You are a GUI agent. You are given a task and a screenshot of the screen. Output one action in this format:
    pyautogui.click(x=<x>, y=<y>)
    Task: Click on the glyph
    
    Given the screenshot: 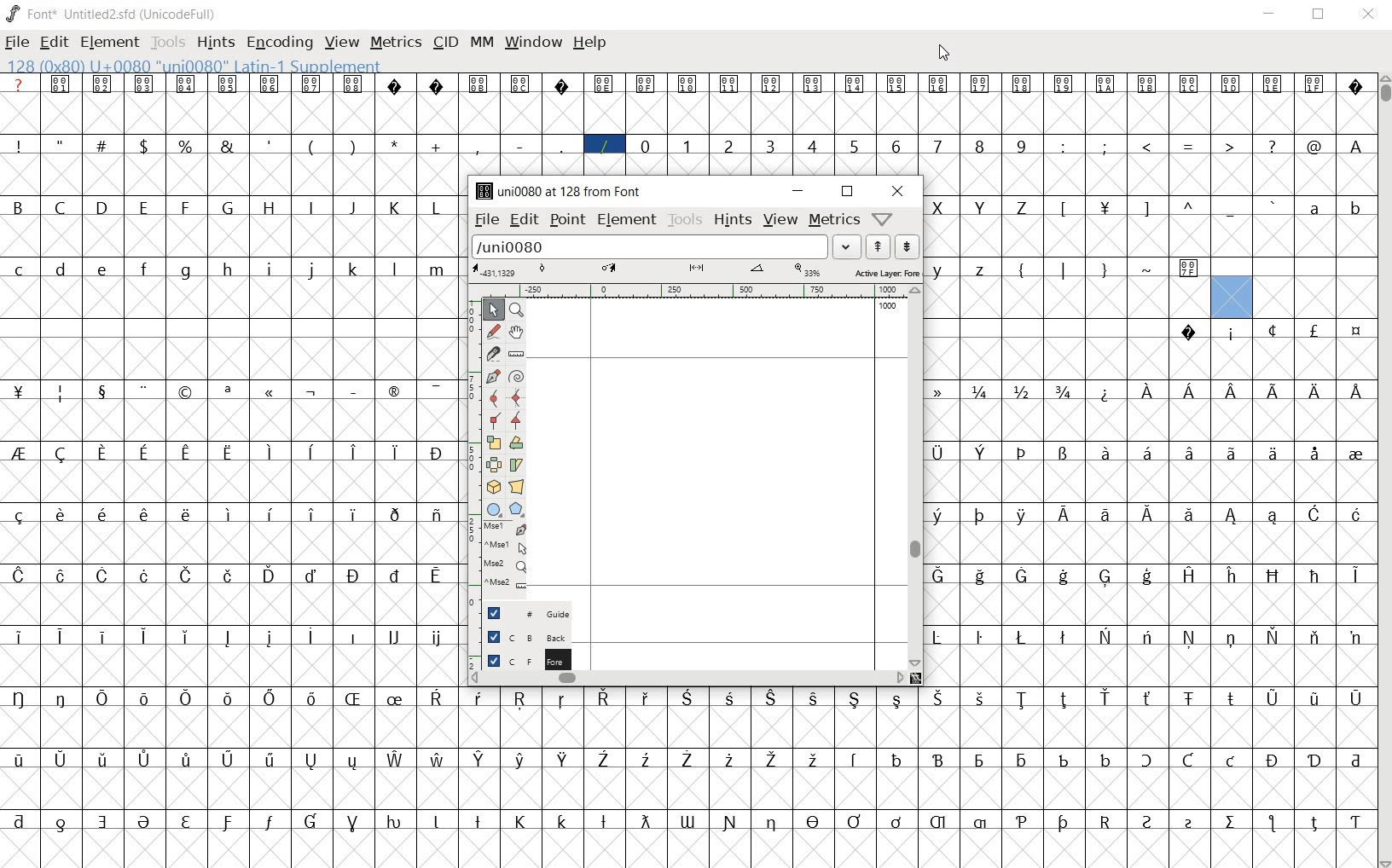 What is the action you would take?
    pyautogui.click(x=435, y=454)
    